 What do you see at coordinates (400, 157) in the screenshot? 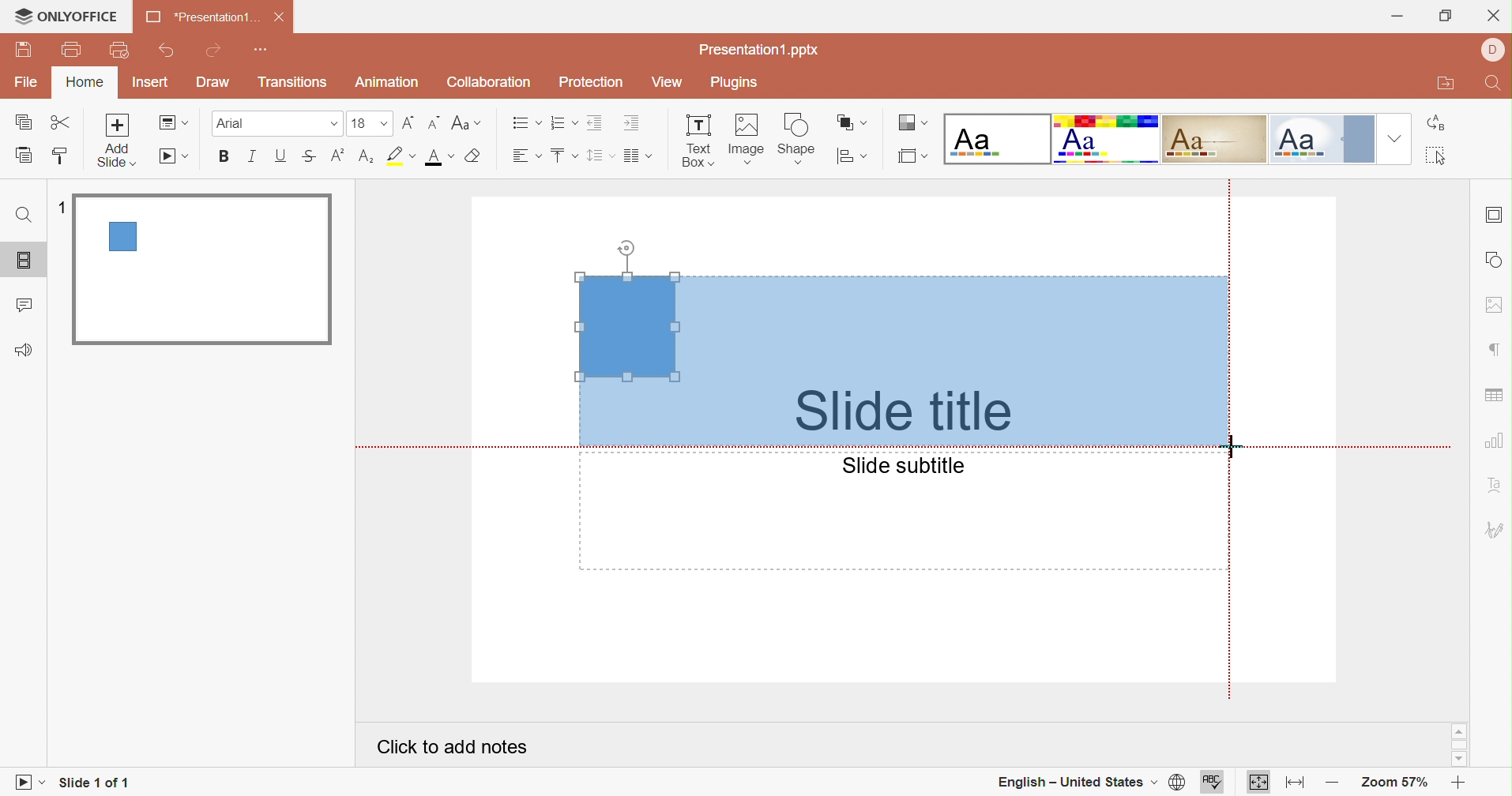
I see `Highlight color` at bounding box center [400, 157].